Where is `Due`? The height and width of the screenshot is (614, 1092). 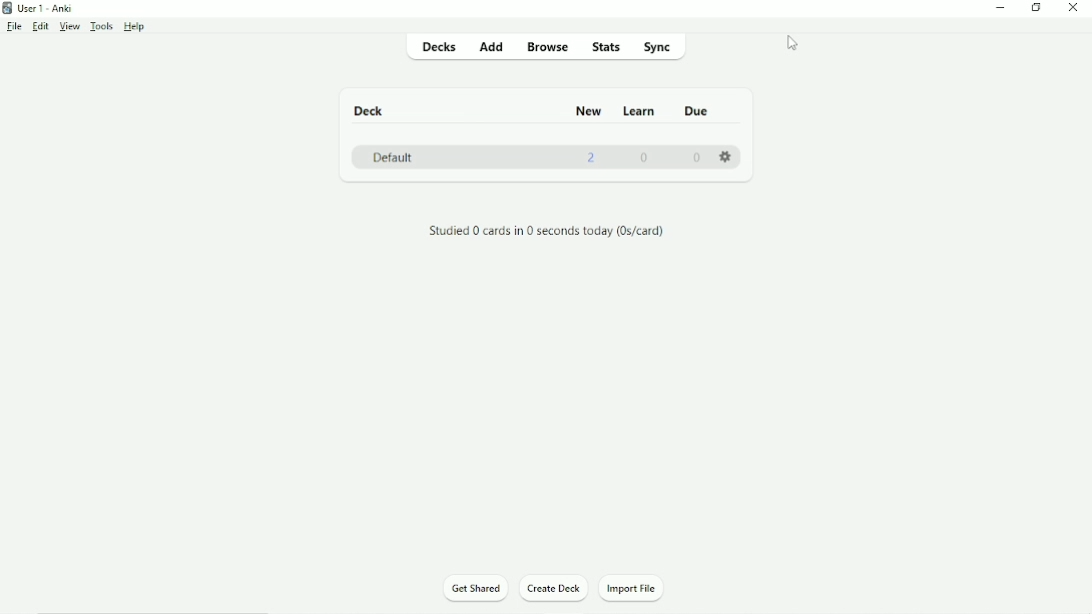 Due is located at coordinates (694, 111).